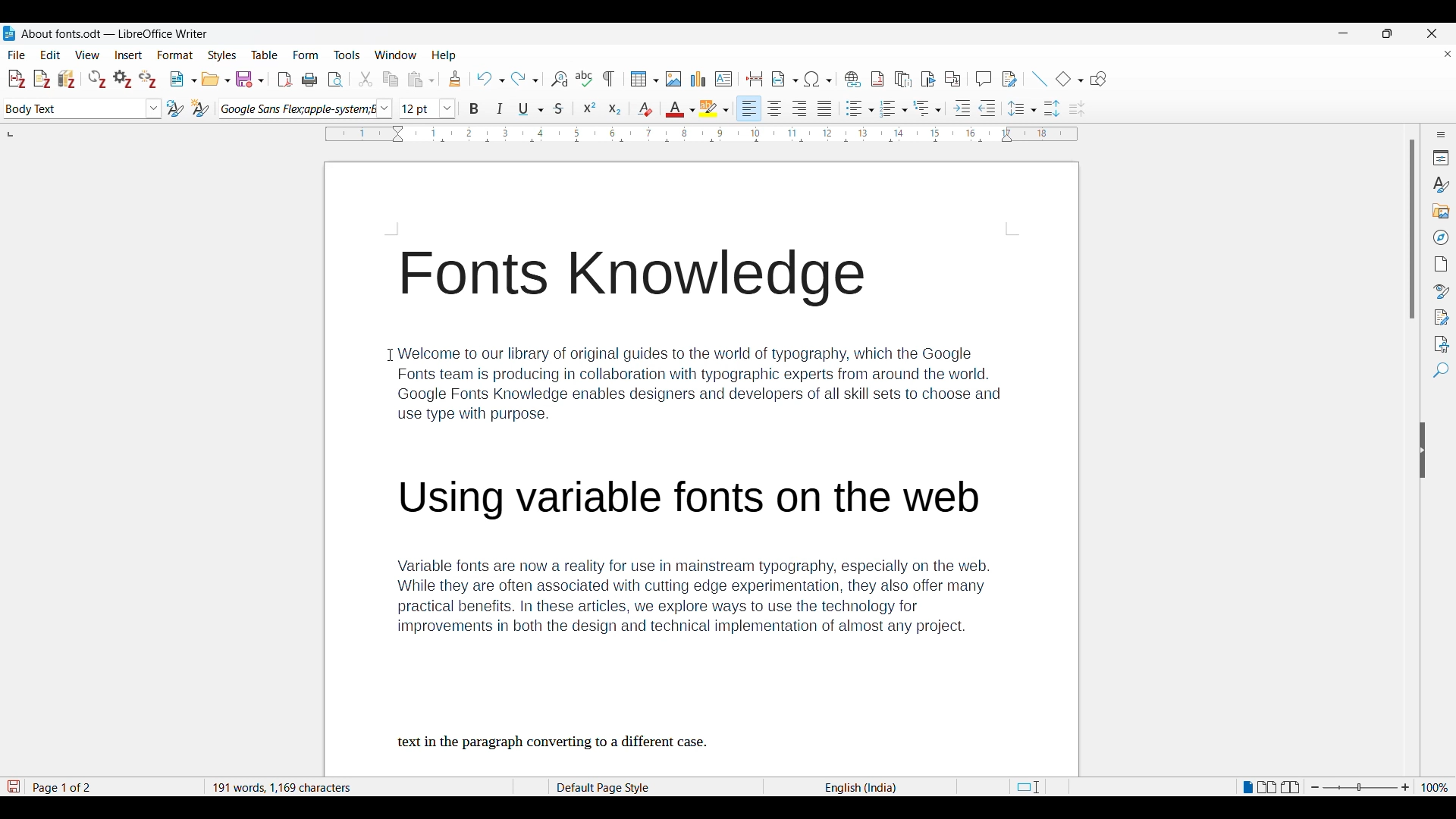  Describe the element at coordinates (83, 108) in the screenshot. I see `Paragraph style options` at that location.